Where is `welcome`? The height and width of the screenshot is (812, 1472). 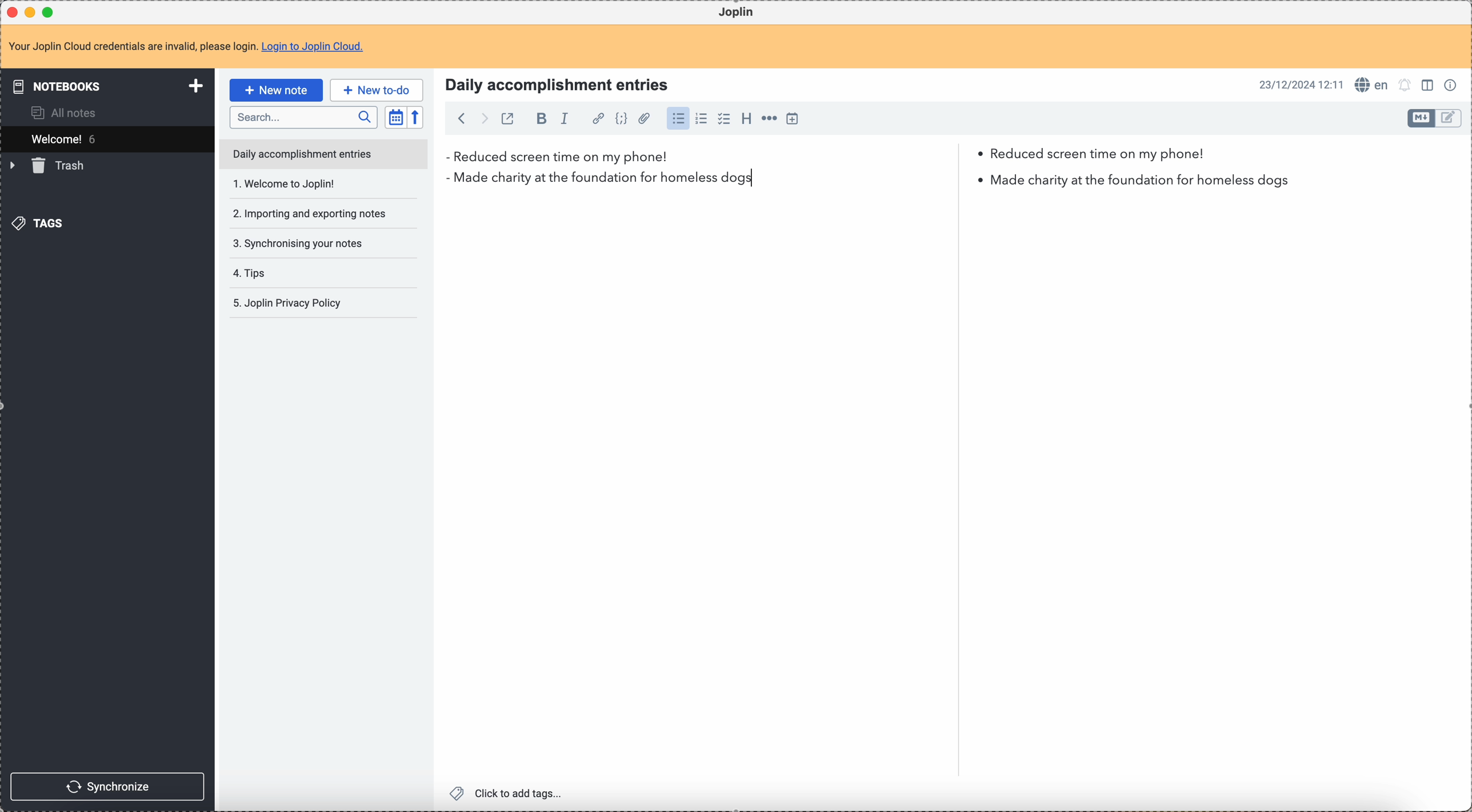 welcome is located at coordinates (106, 139).